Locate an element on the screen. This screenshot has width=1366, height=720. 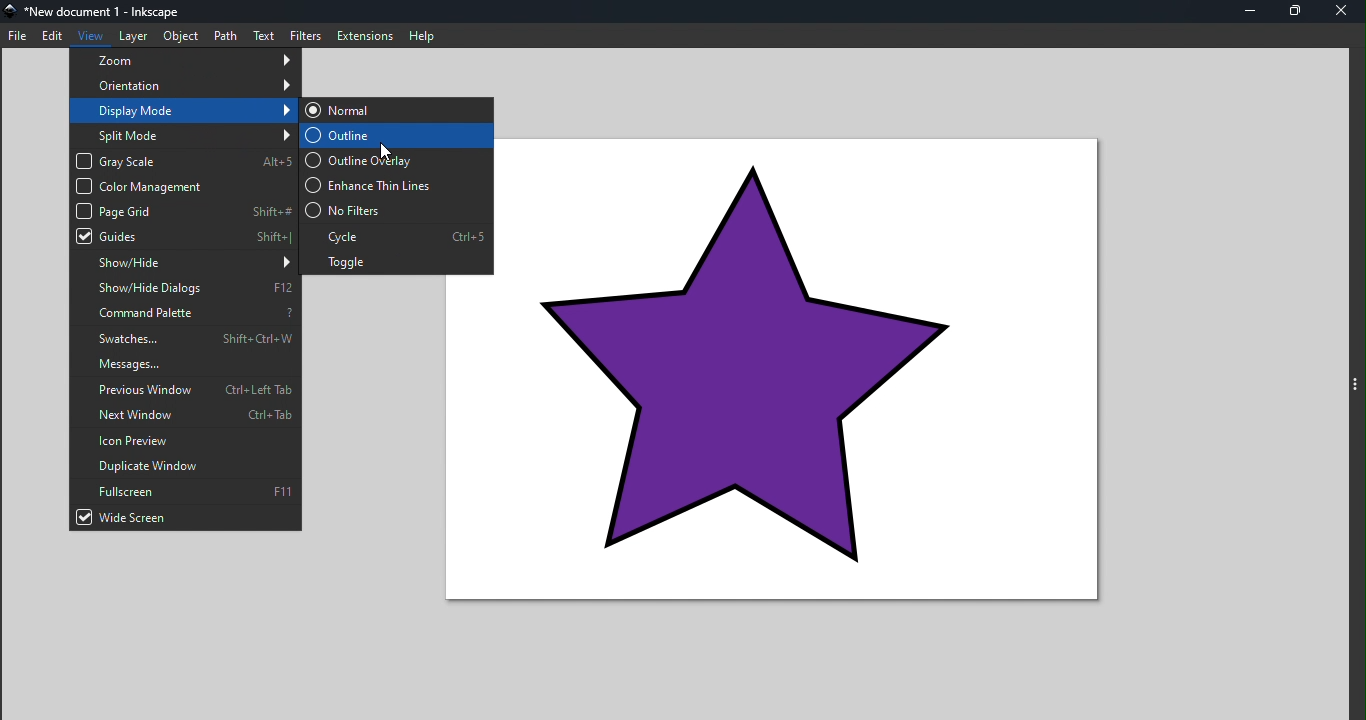
Maximize is located at coordinates (1303, 12).